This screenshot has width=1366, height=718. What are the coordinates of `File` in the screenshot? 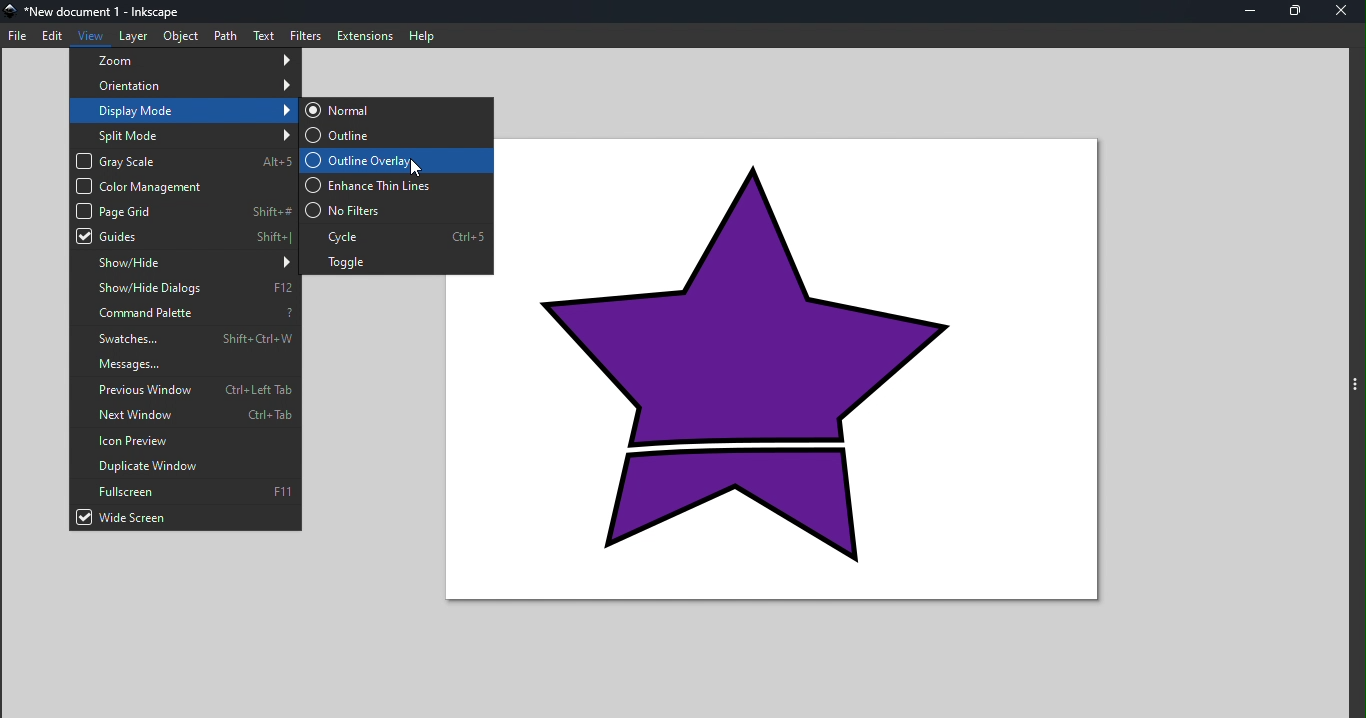 It's located at (18, 38).